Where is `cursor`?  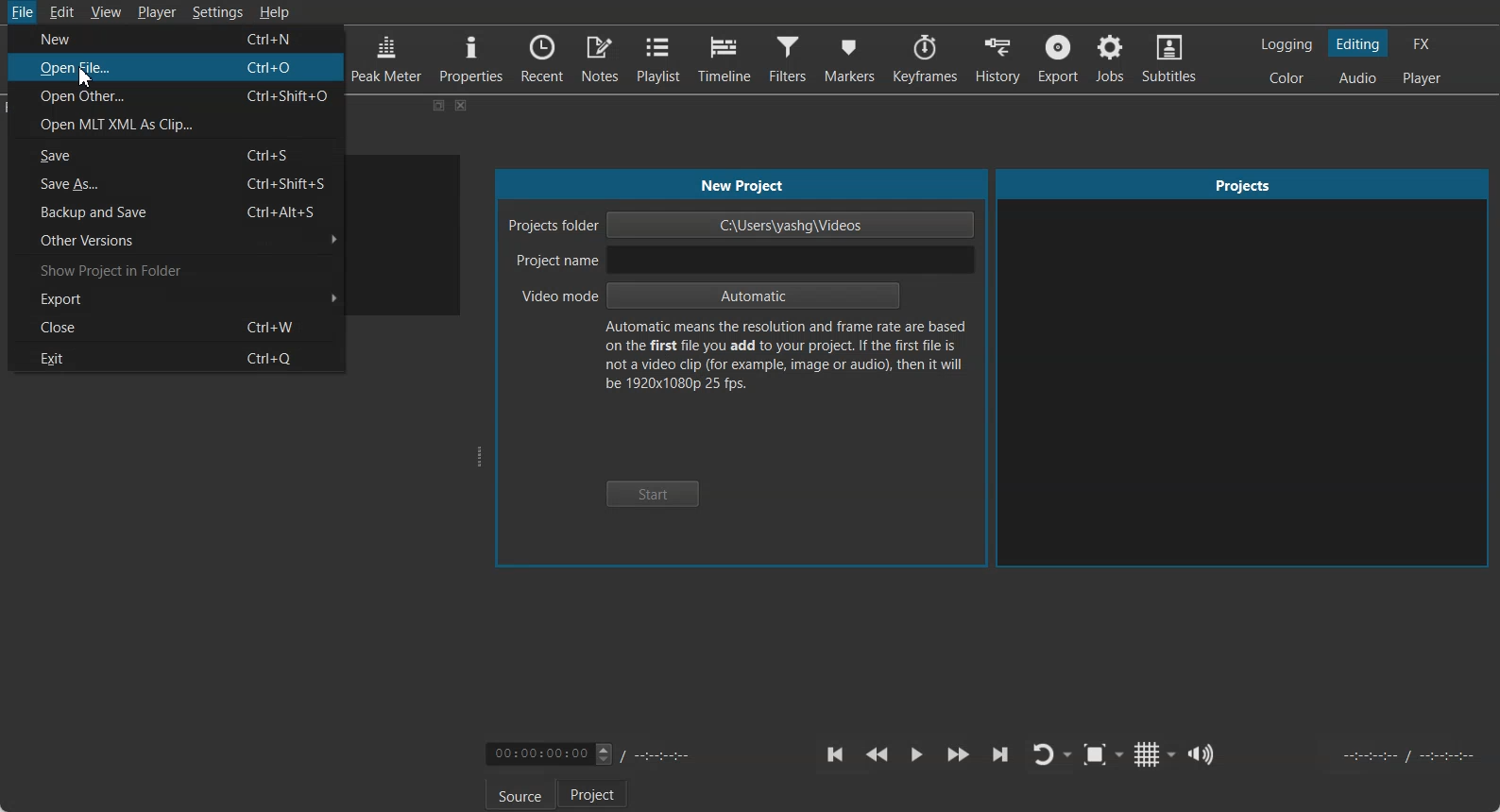 cursor is located at coordinates (84, 76).